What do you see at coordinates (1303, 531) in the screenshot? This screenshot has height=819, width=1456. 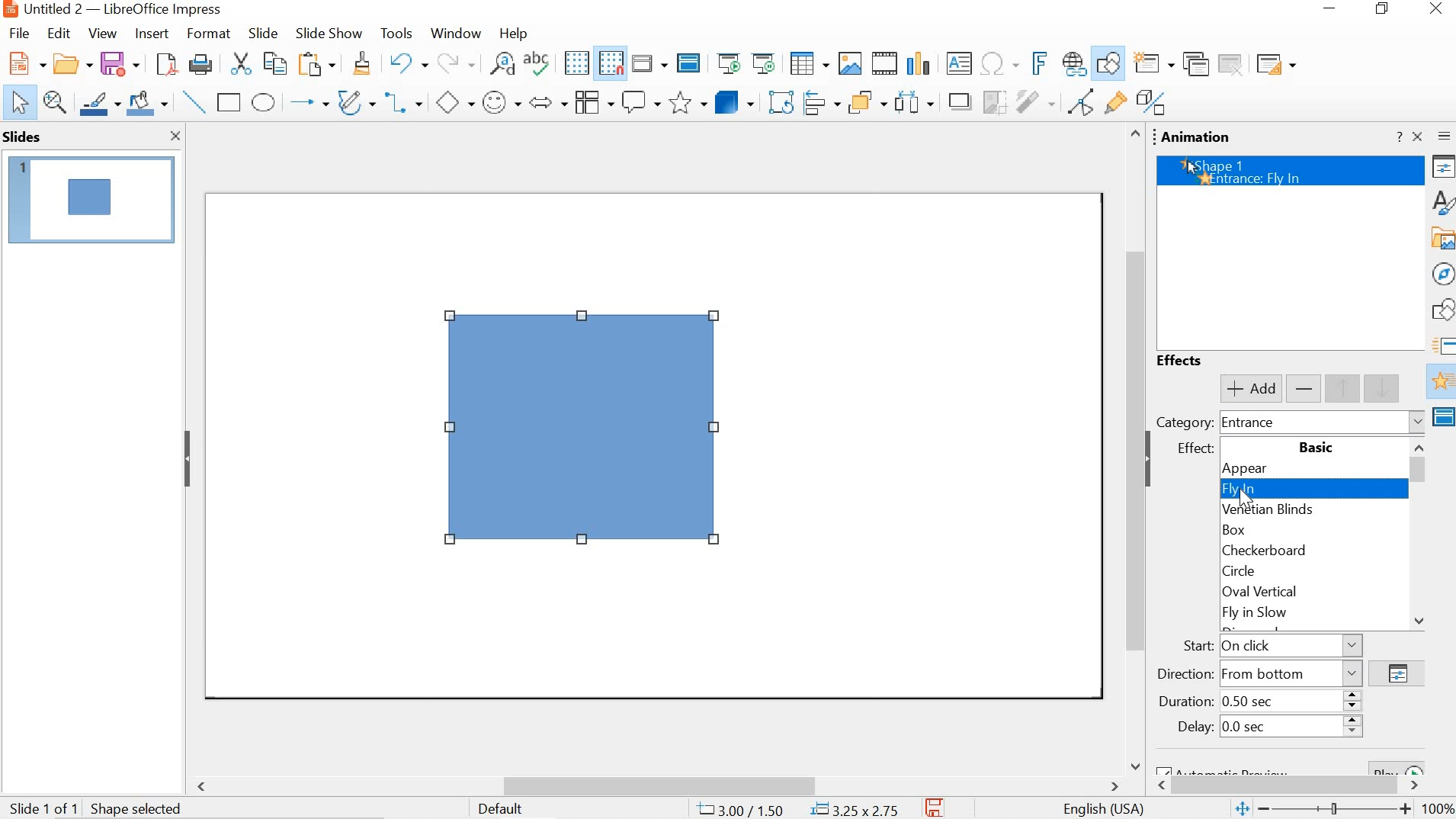 I see `box` at bounding box center [1303, 531].